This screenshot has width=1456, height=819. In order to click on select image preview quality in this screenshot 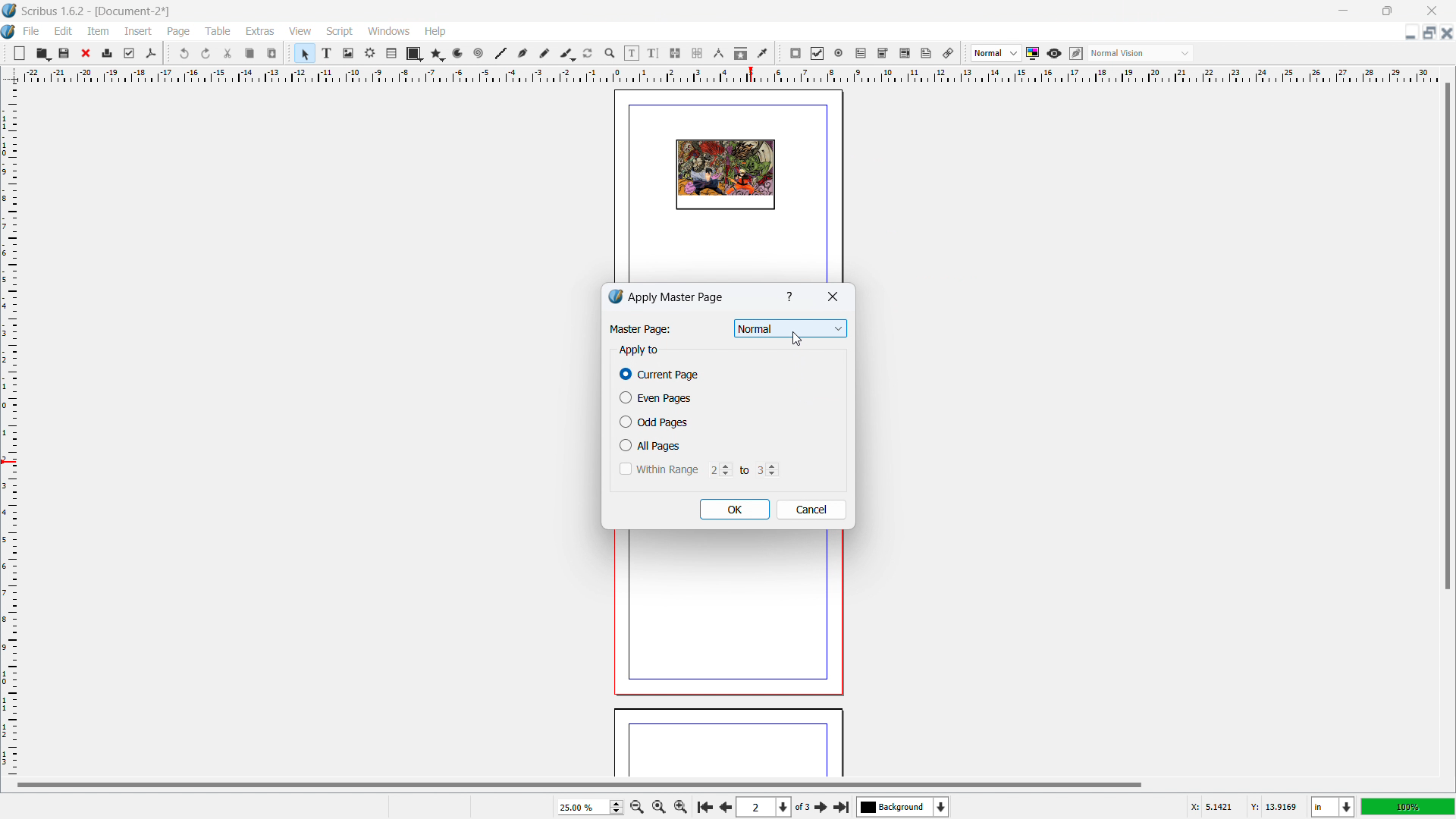, I will do `click(996, 53)`.